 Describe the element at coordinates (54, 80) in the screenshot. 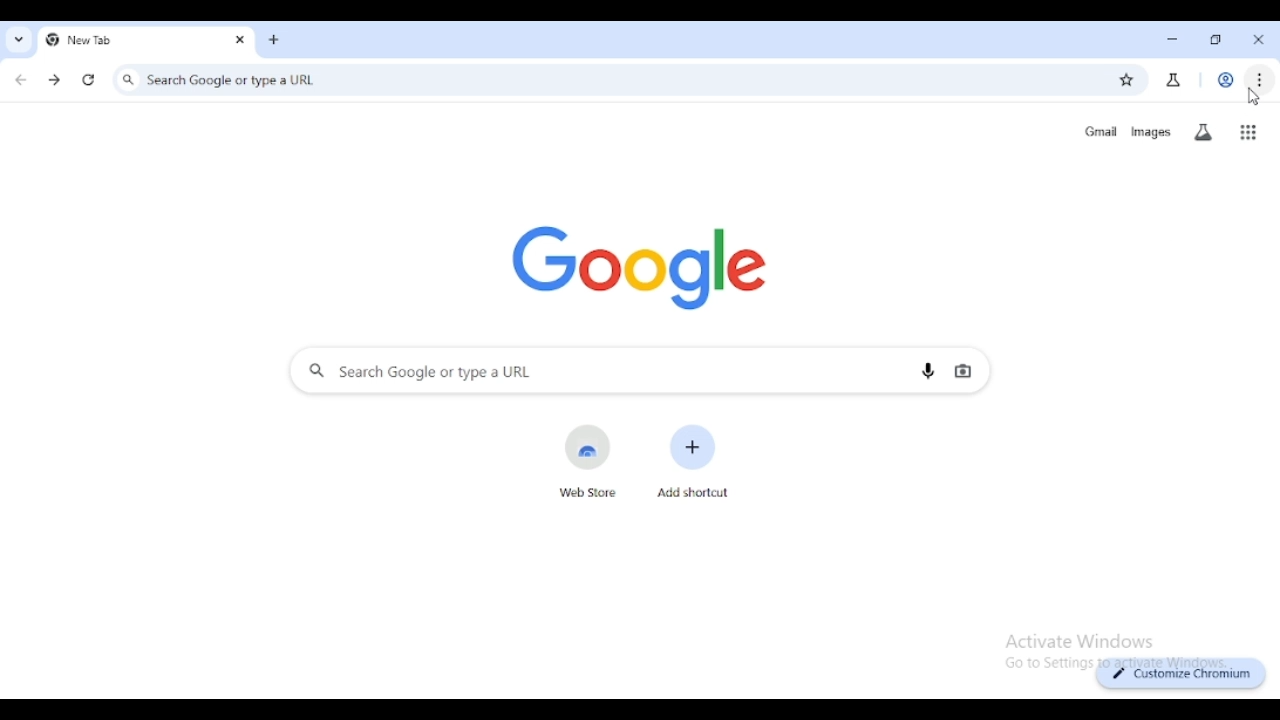

I see `click to go forward` at that location.